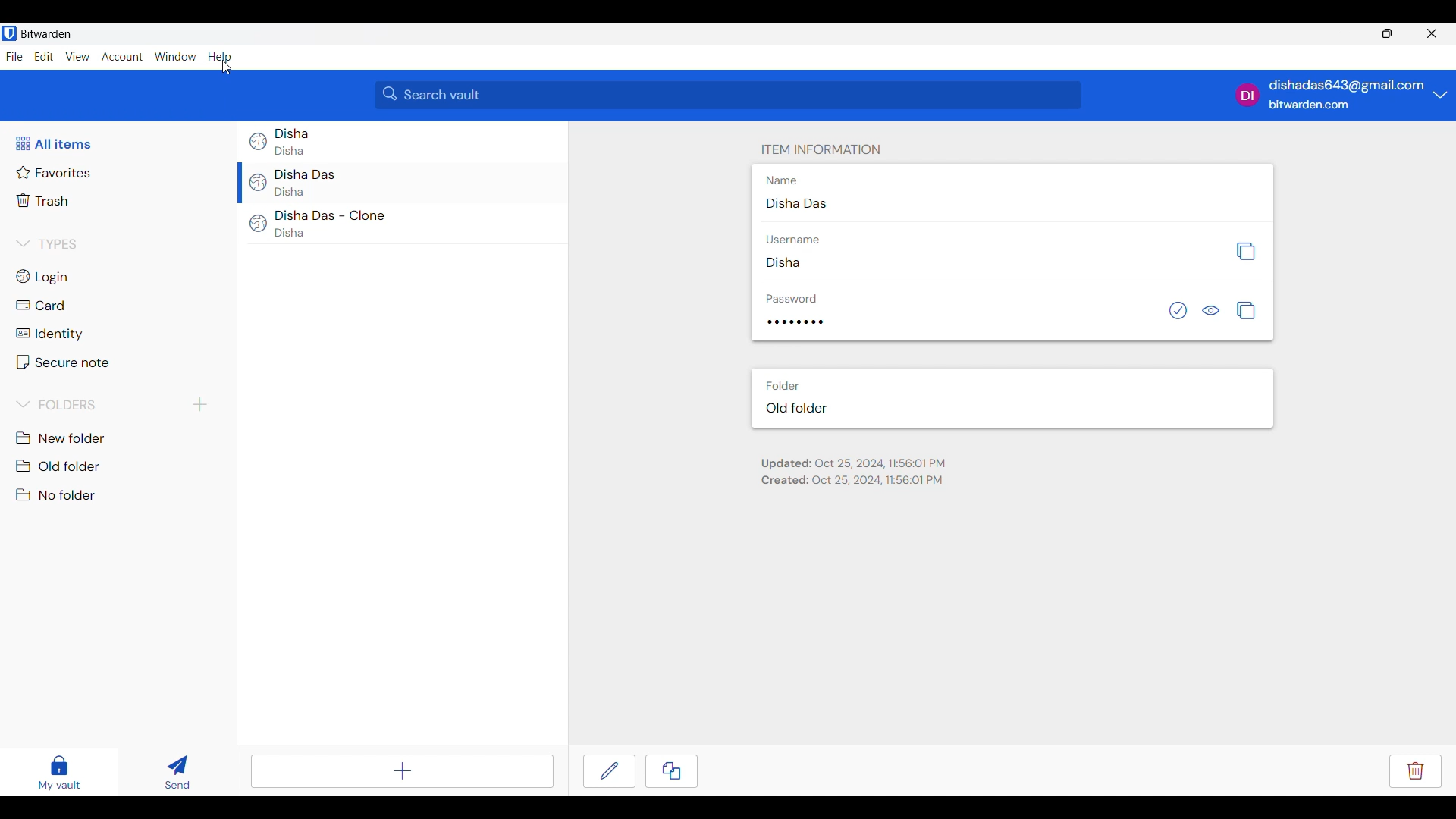  Describe the element at coordinates (403, 771) in the screenshot. I see `Add item` at that location.